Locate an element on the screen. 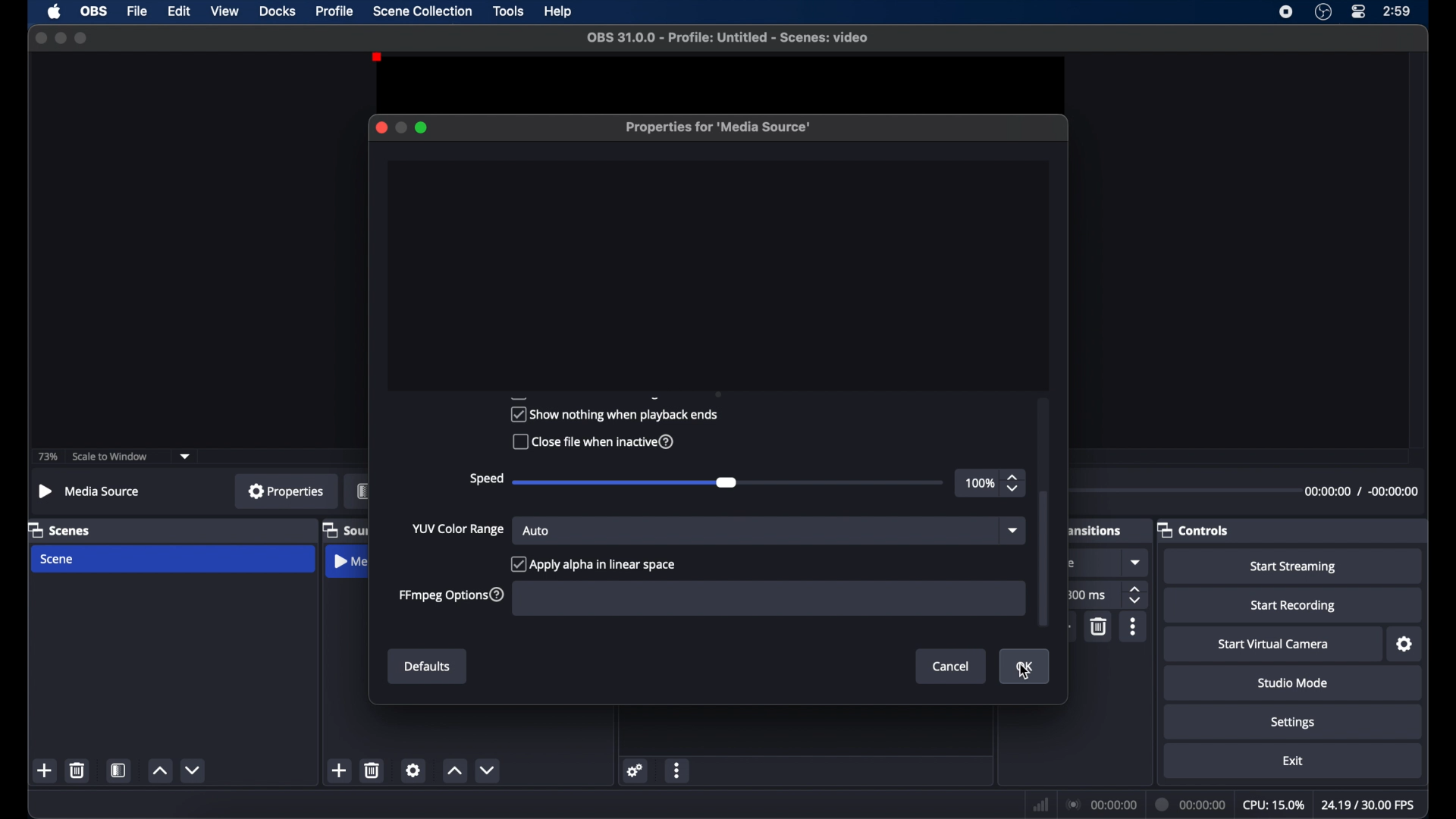  start streaming is located at coordinates (1294, 566).